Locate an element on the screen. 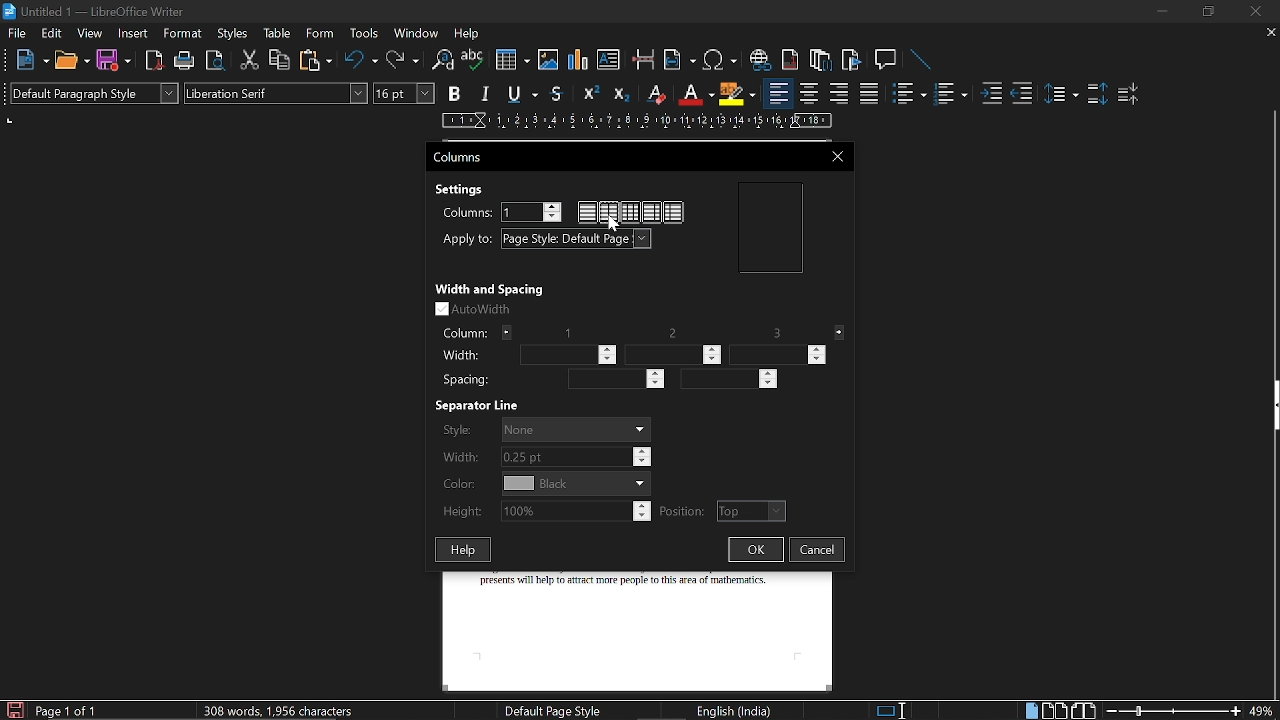 The width and height of the screenshot is (1280, 720). WIdth of column 1 is located at coordinates (572, 354).